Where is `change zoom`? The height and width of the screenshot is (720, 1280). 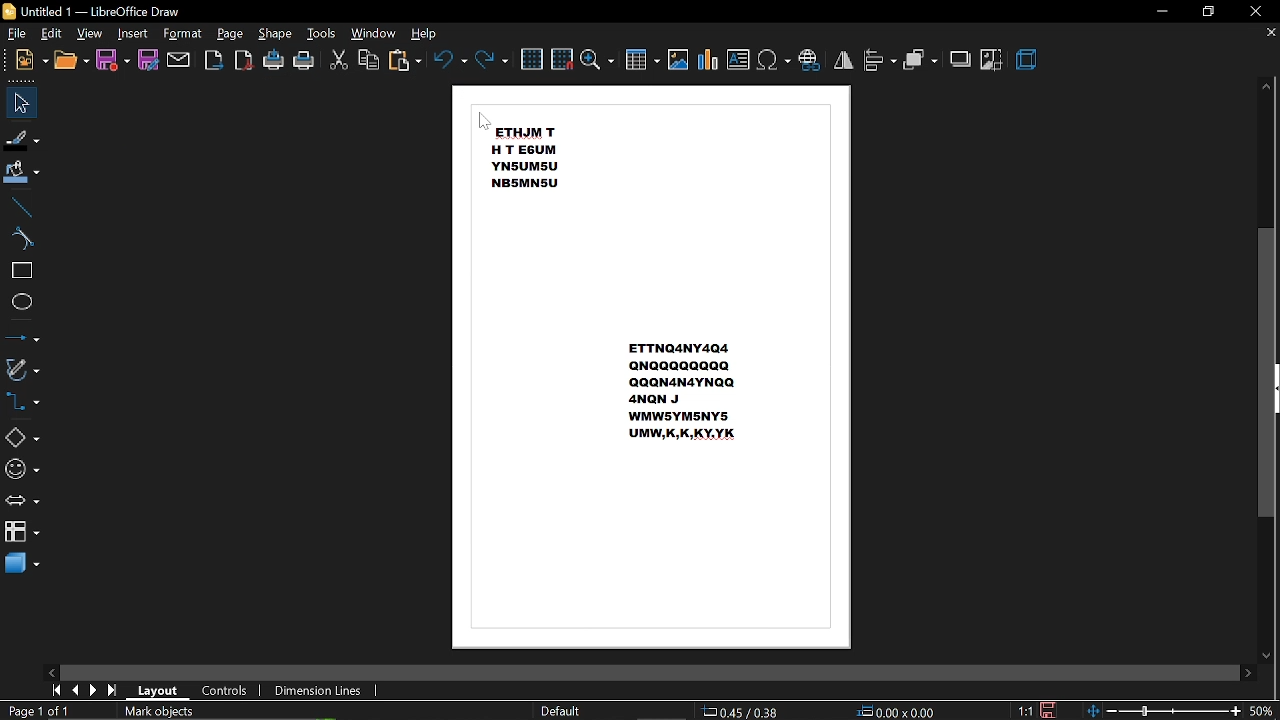
change zoom is located at coordinates (1164, 712).